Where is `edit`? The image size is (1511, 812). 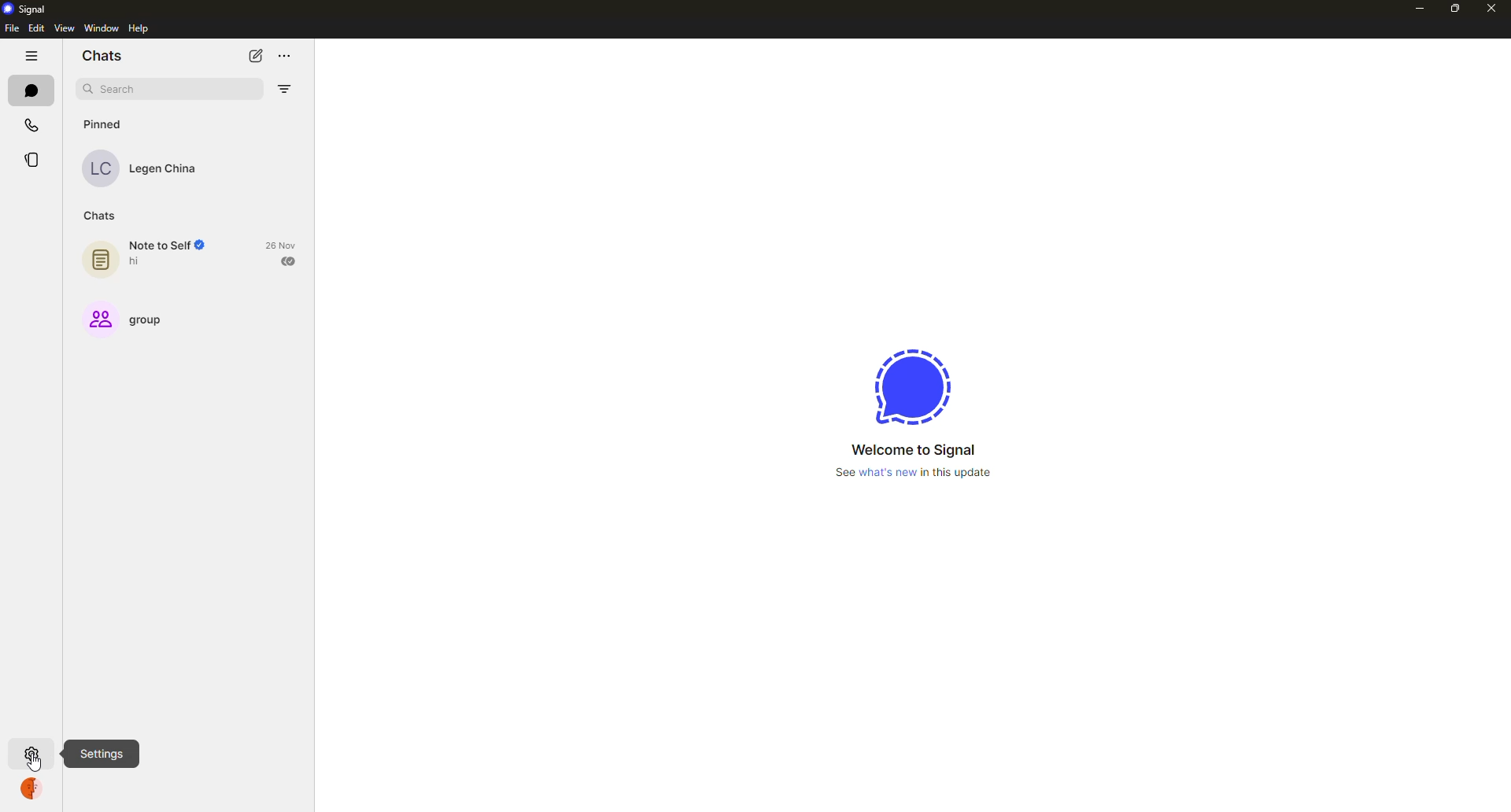
edit is located at coordinates (38, 28).